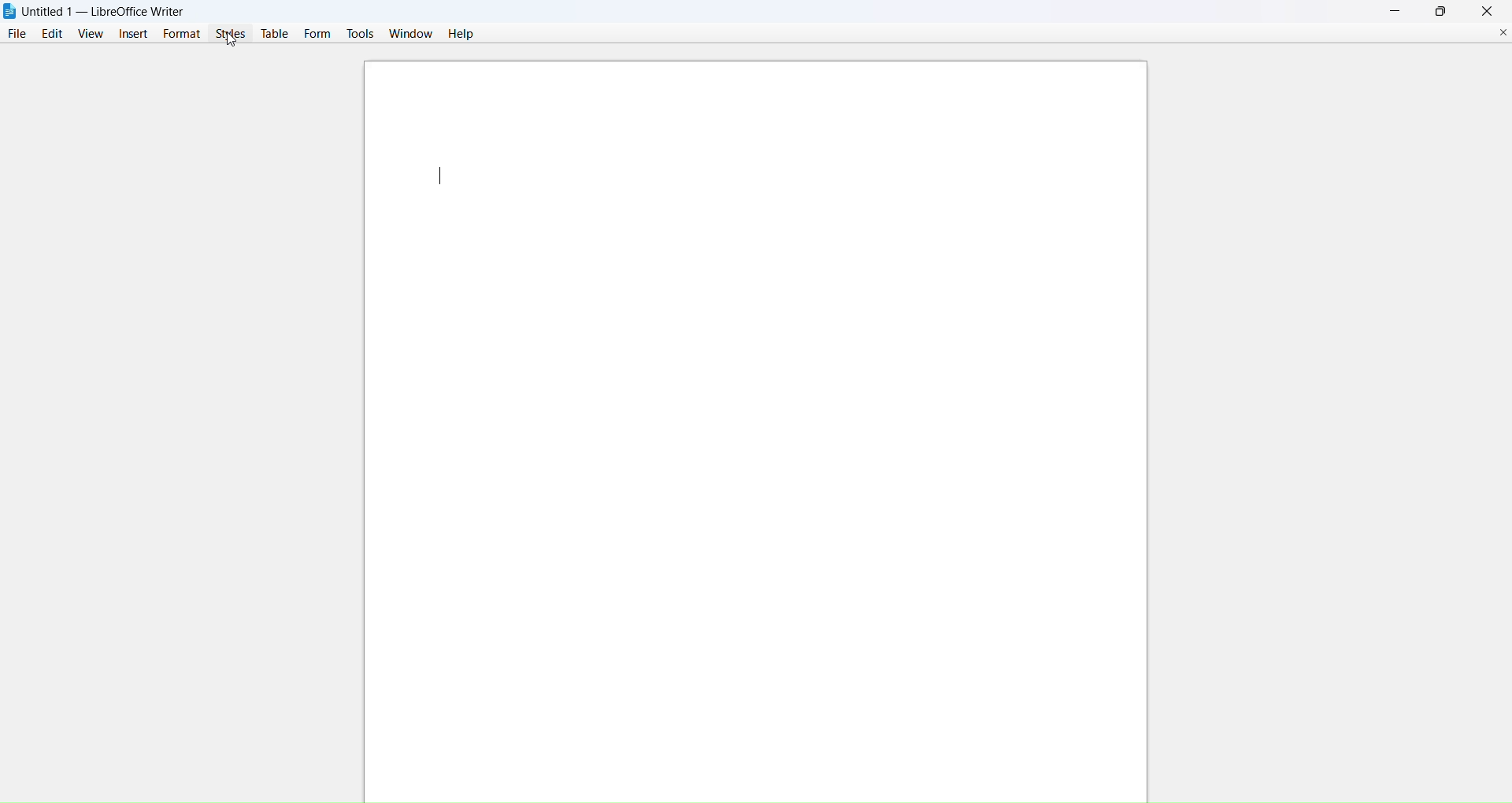 The height and width of the screenshot is (803, 1512). What do you see at coordinates (93, 33) in the screenshot?
I see `view` at bounding box center [93, 33].